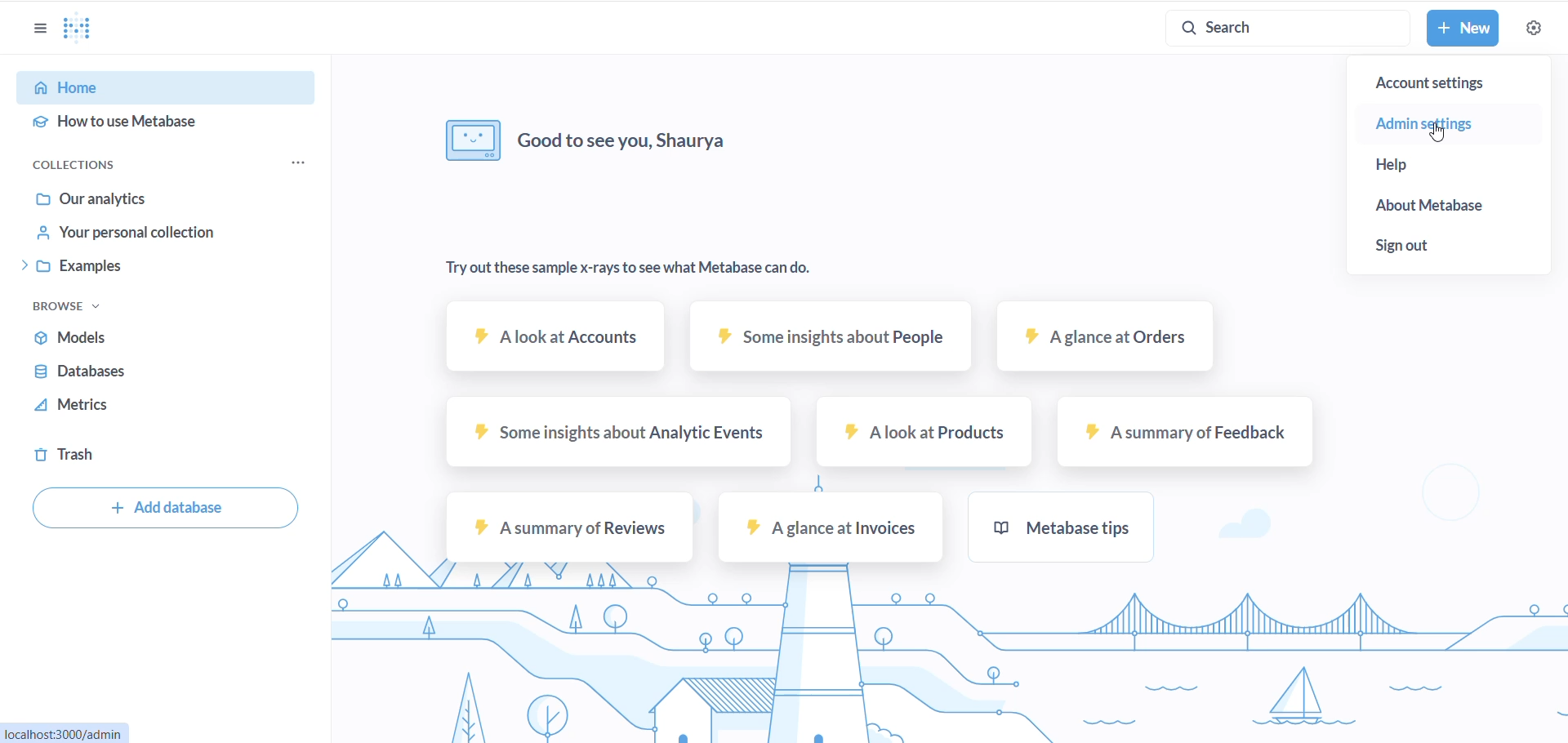 Image resolution: width=1568 pixels, height=743 pixels. I want to click on TRASH, so click(68, 456).